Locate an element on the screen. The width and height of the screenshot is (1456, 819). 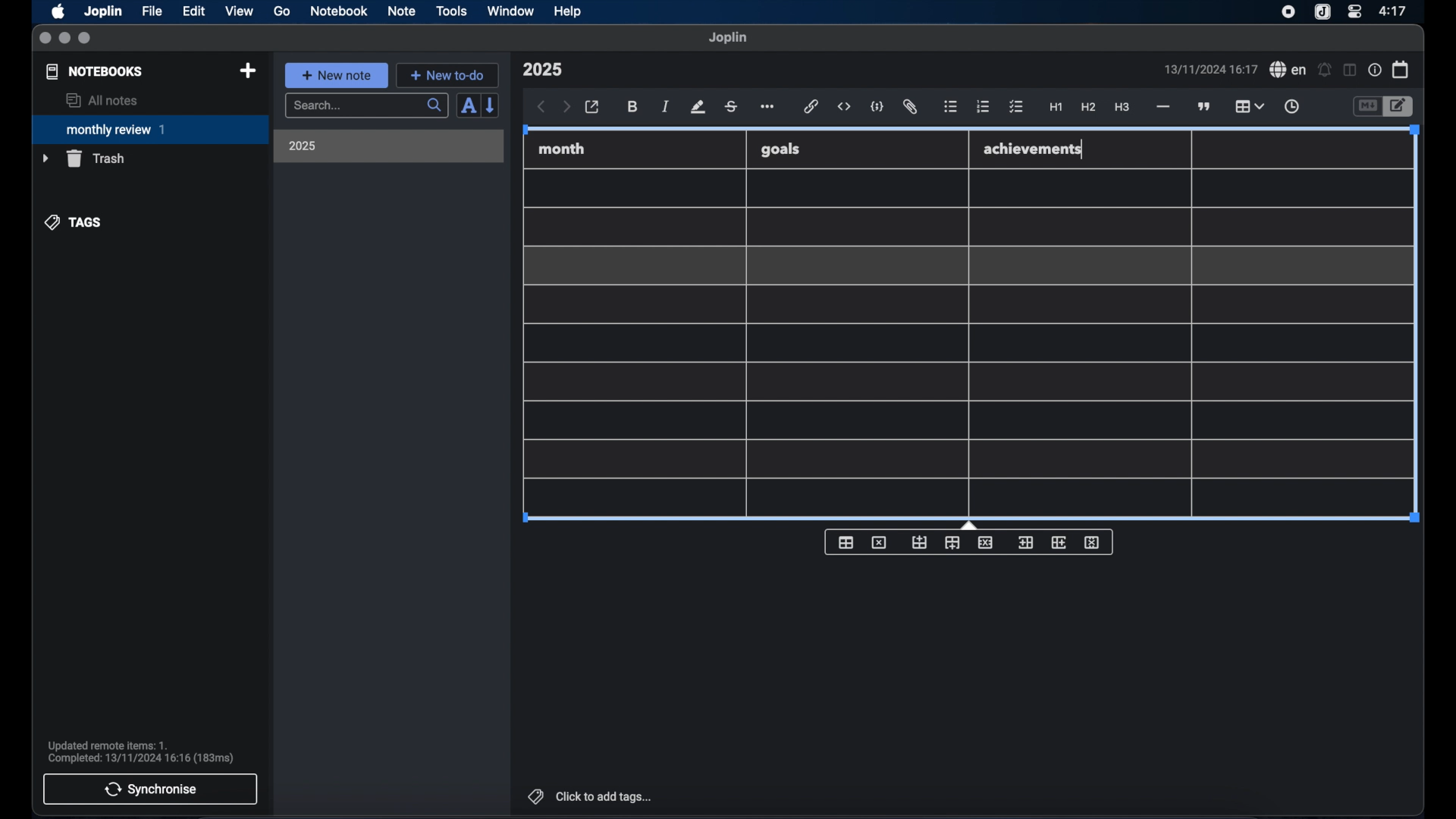
joplin icon is located at coordinates (1321, 13).